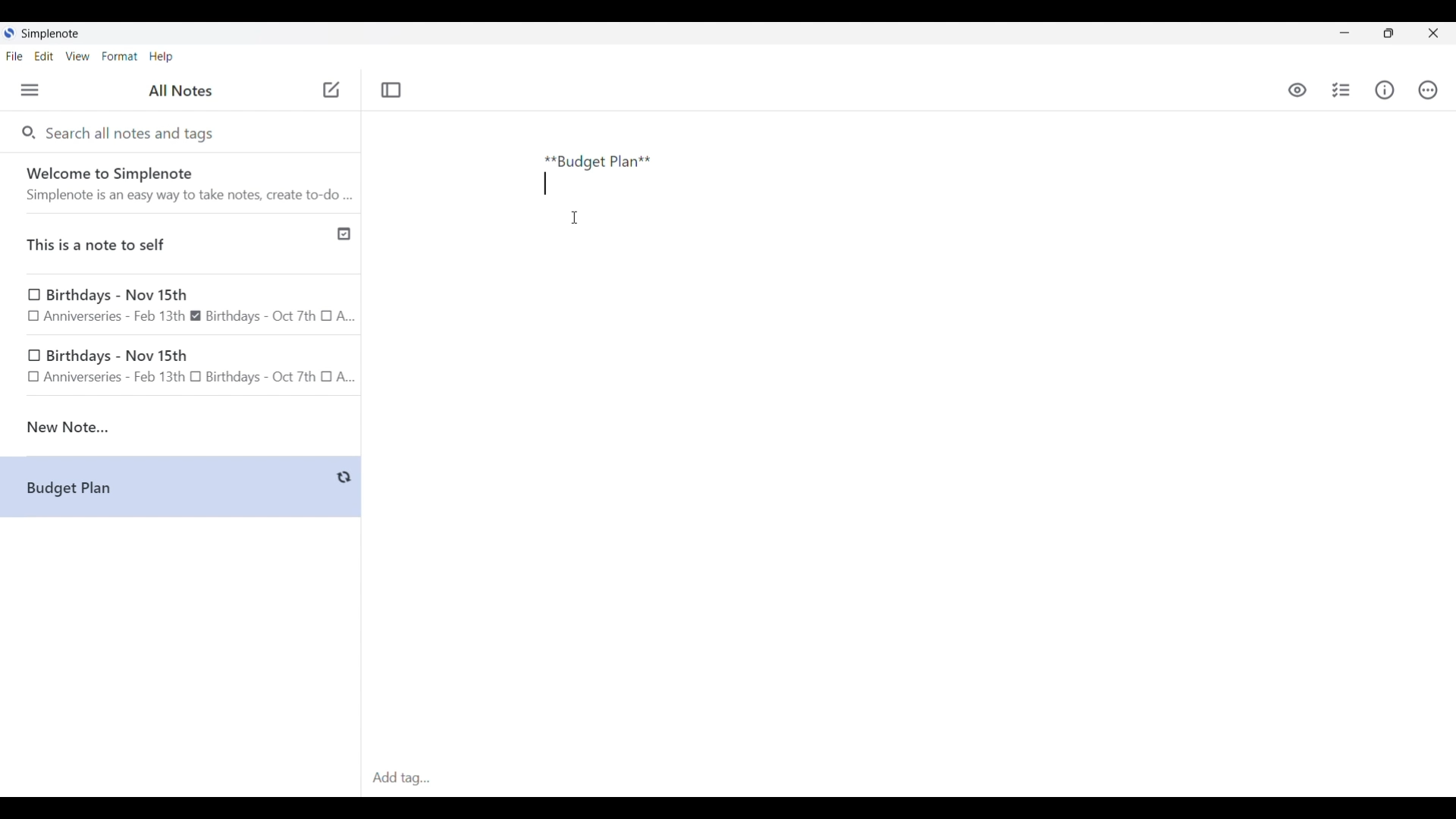 The height and width of the screenshot is (819, 1456). Describe the element at coordinates (1427, 90) in the screenshot. I see `Actions` at that location.